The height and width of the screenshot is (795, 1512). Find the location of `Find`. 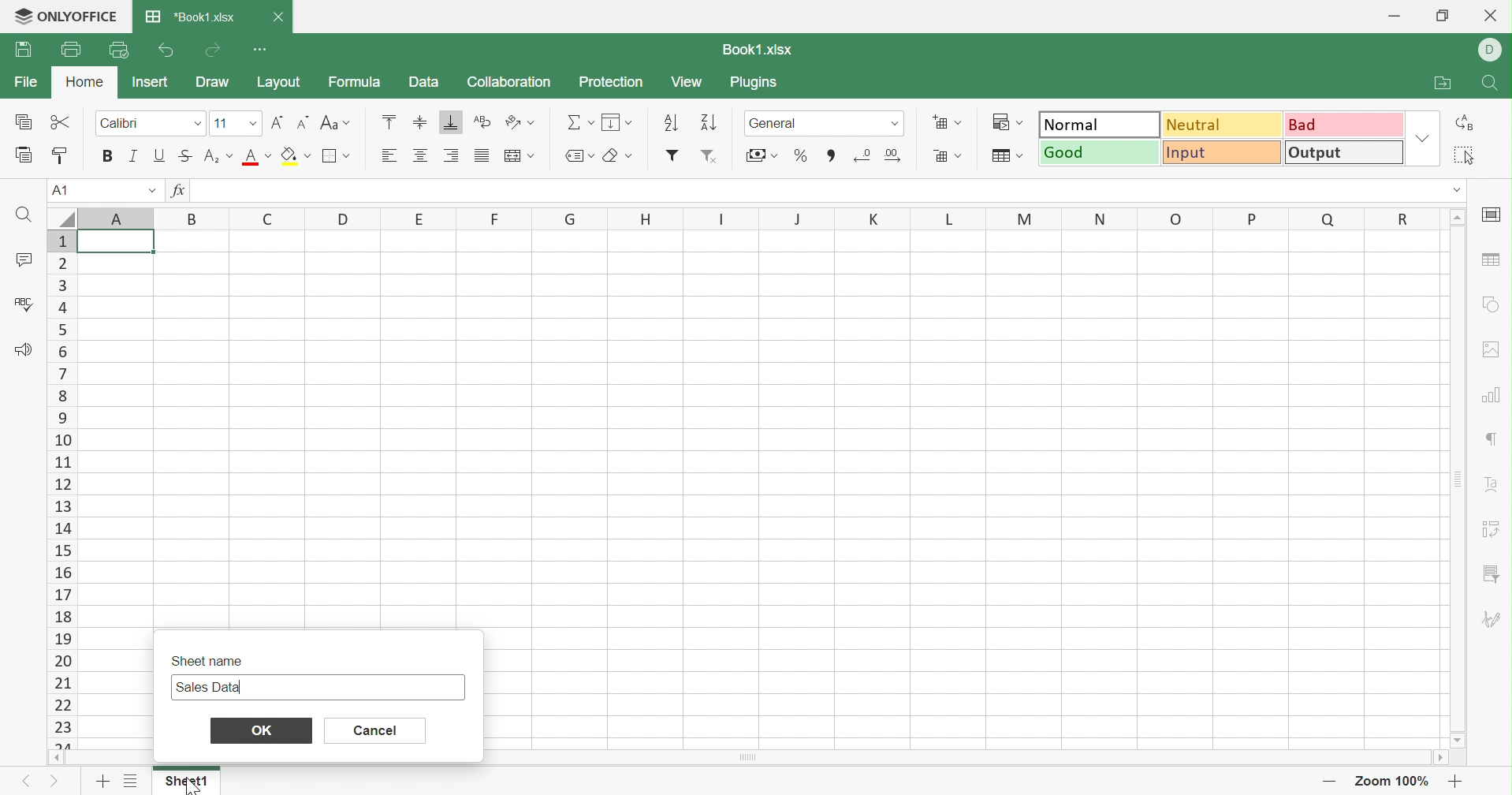

Find is located at coordinates (23, 215).